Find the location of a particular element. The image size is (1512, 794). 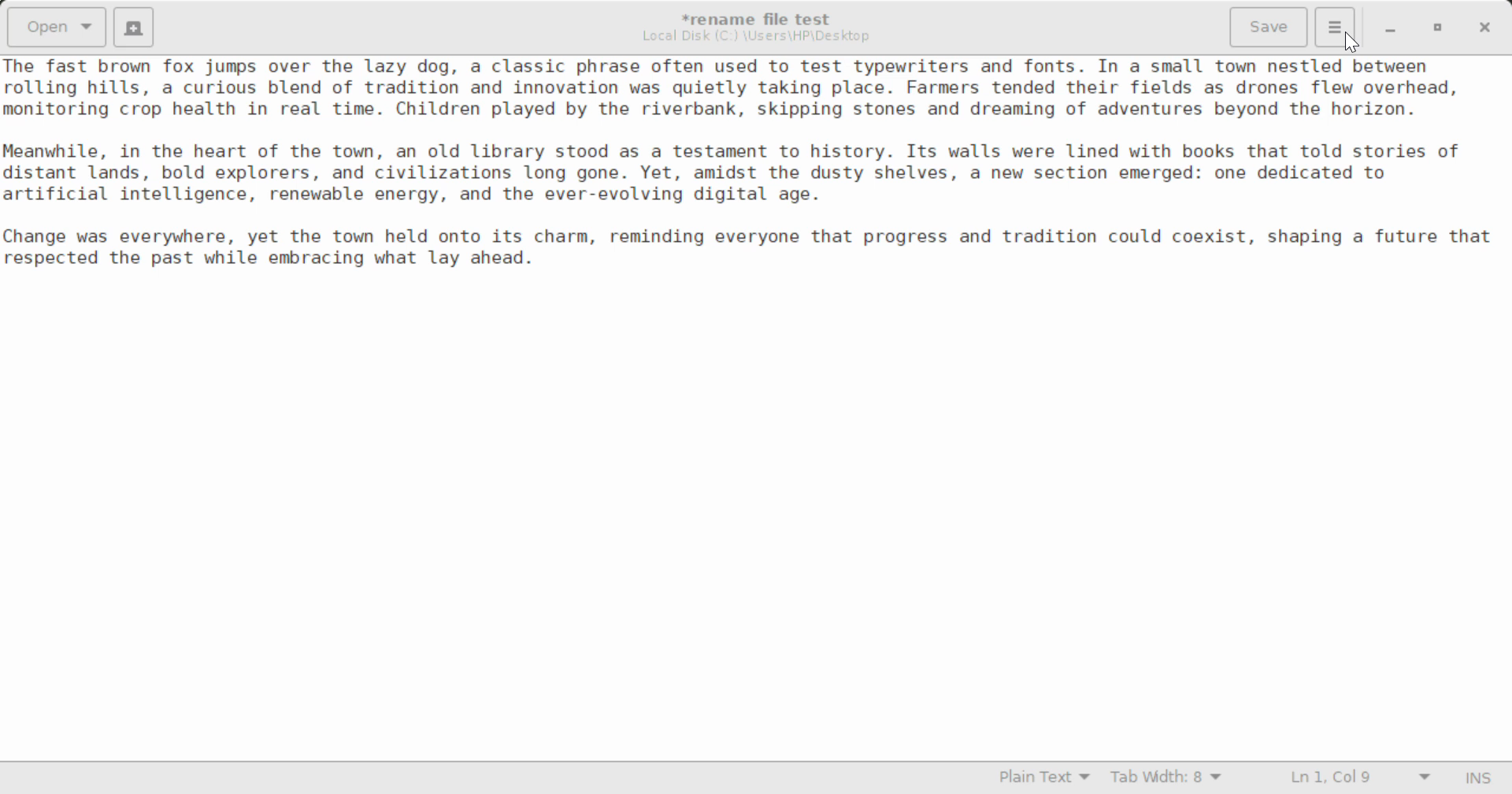

Open Document is located at coordinates (54, 27).